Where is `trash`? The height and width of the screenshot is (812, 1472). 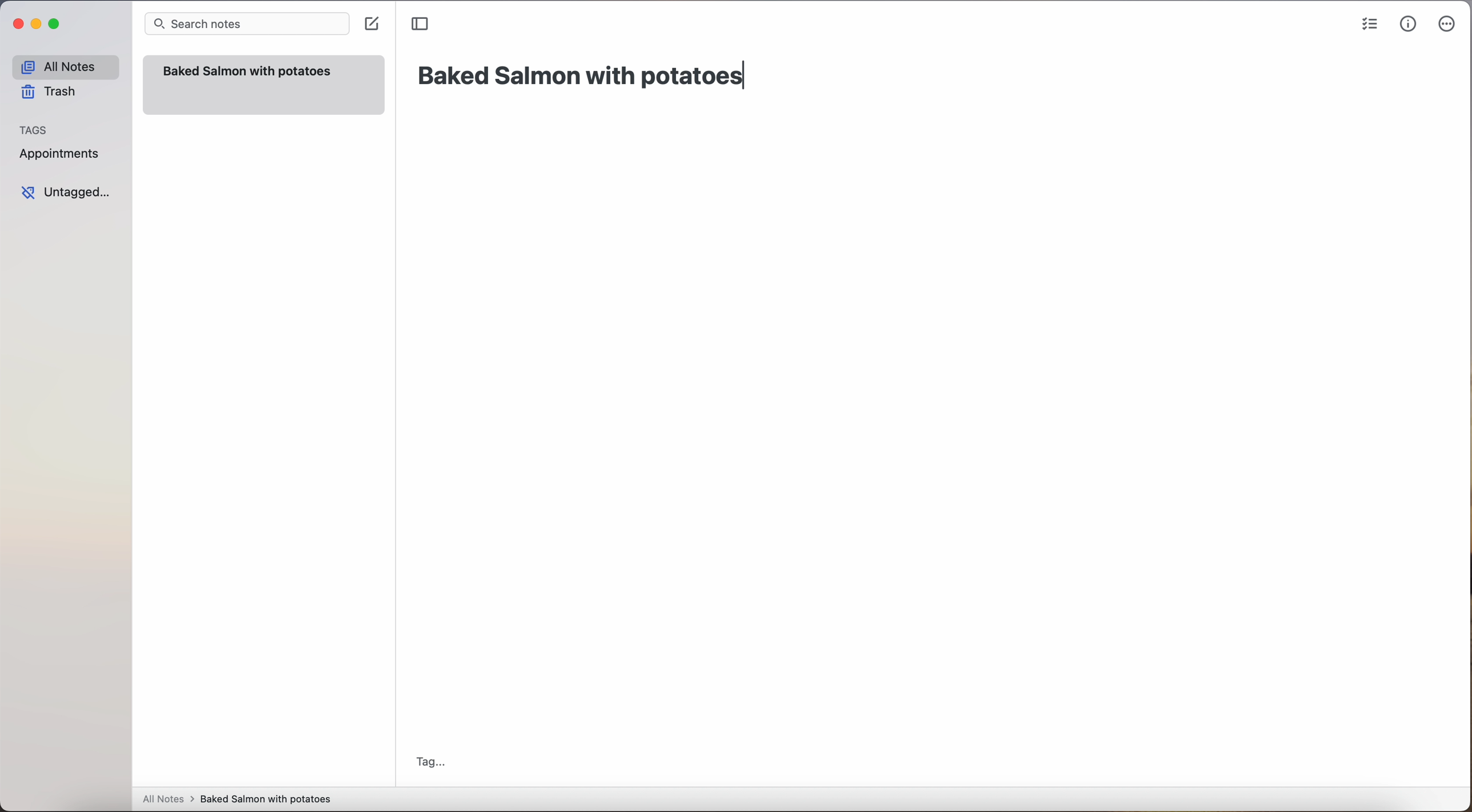 trash is located at coordinates (53, 92).